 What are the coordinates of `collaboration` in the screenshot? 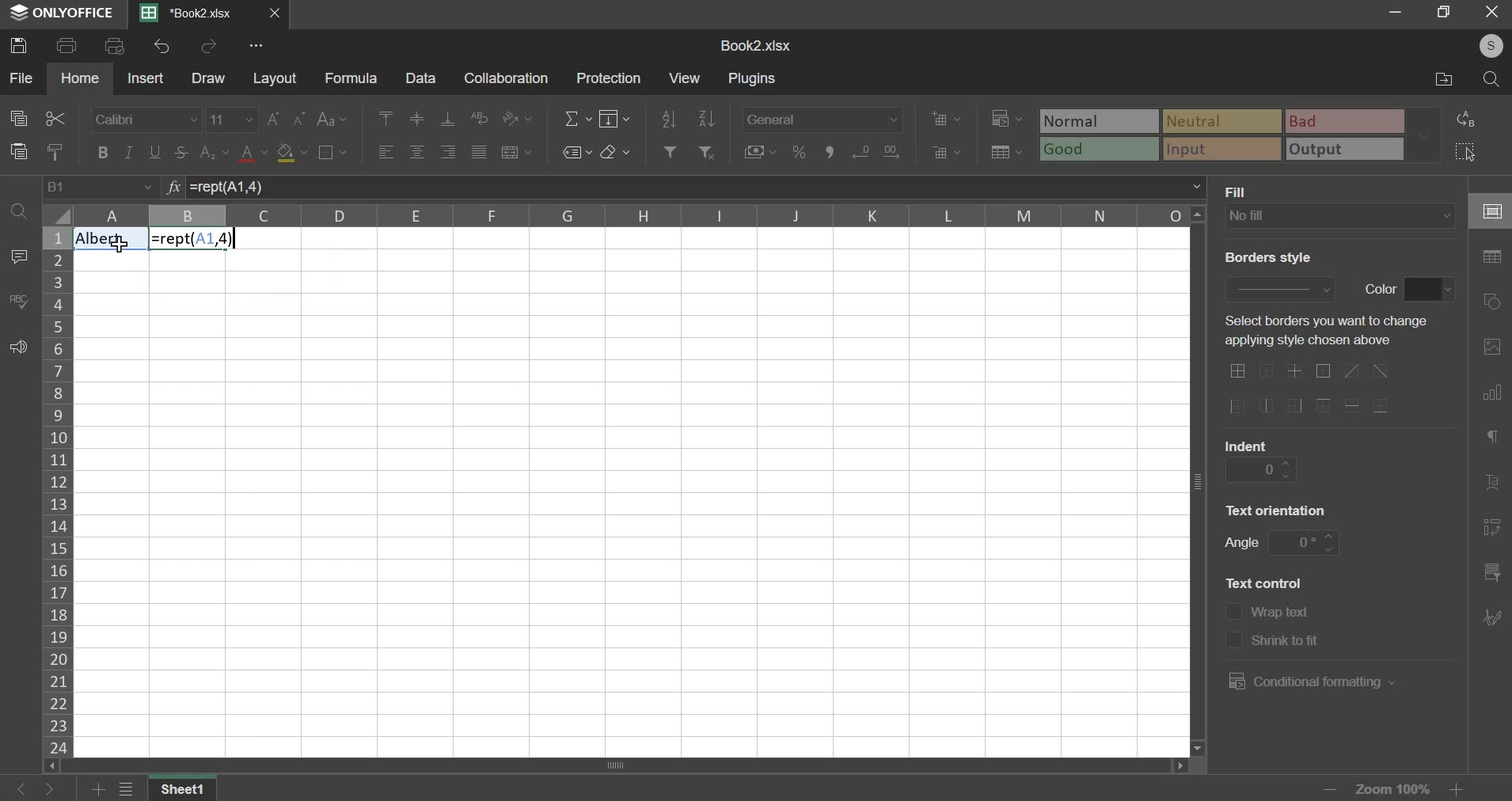 It's located at (507, 78).